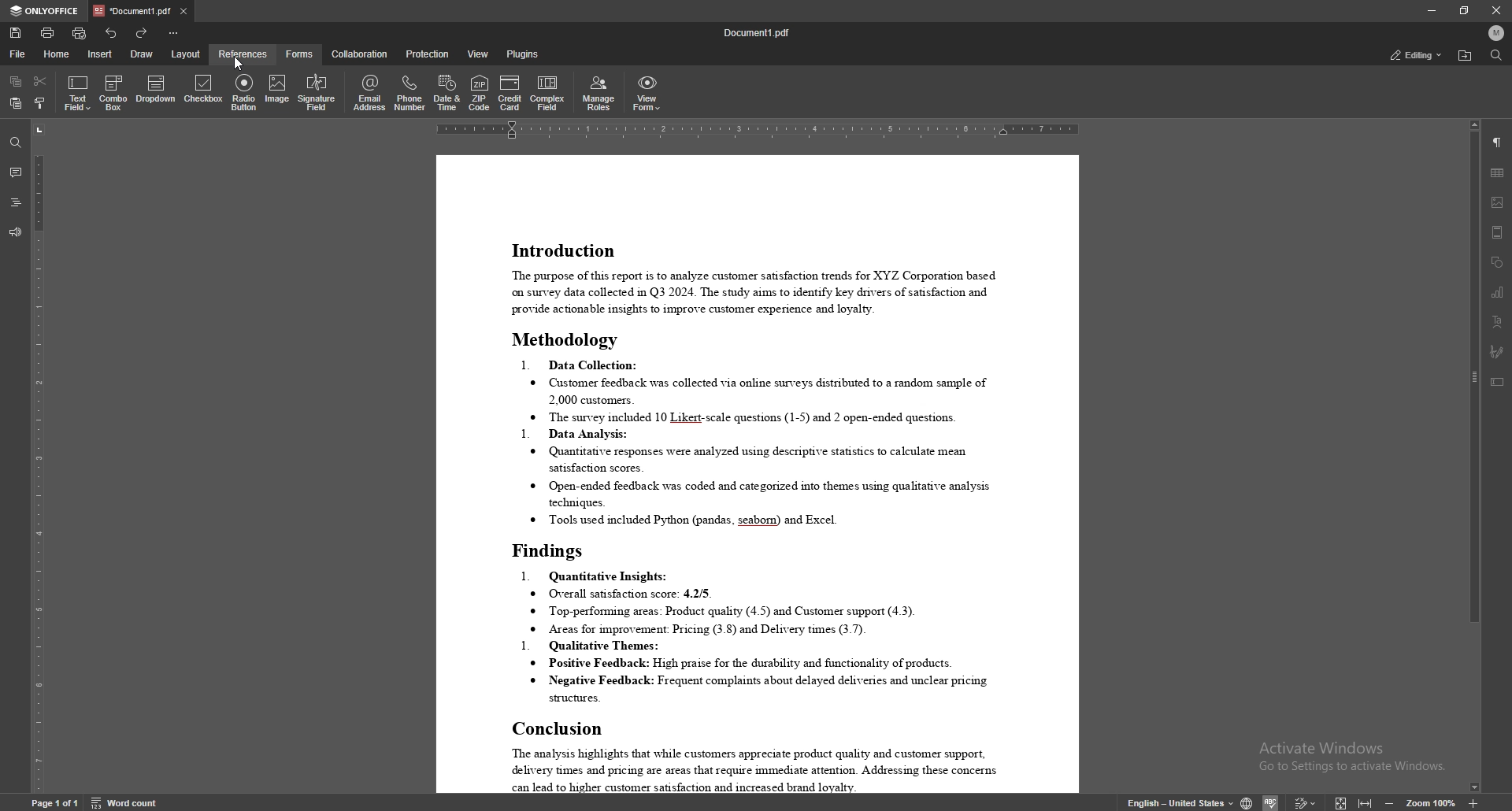 The width and height of the screenshot is (1512, 811). Describe the element at coordinates (1496, 55) in the screenshot. I see `find` at that location.